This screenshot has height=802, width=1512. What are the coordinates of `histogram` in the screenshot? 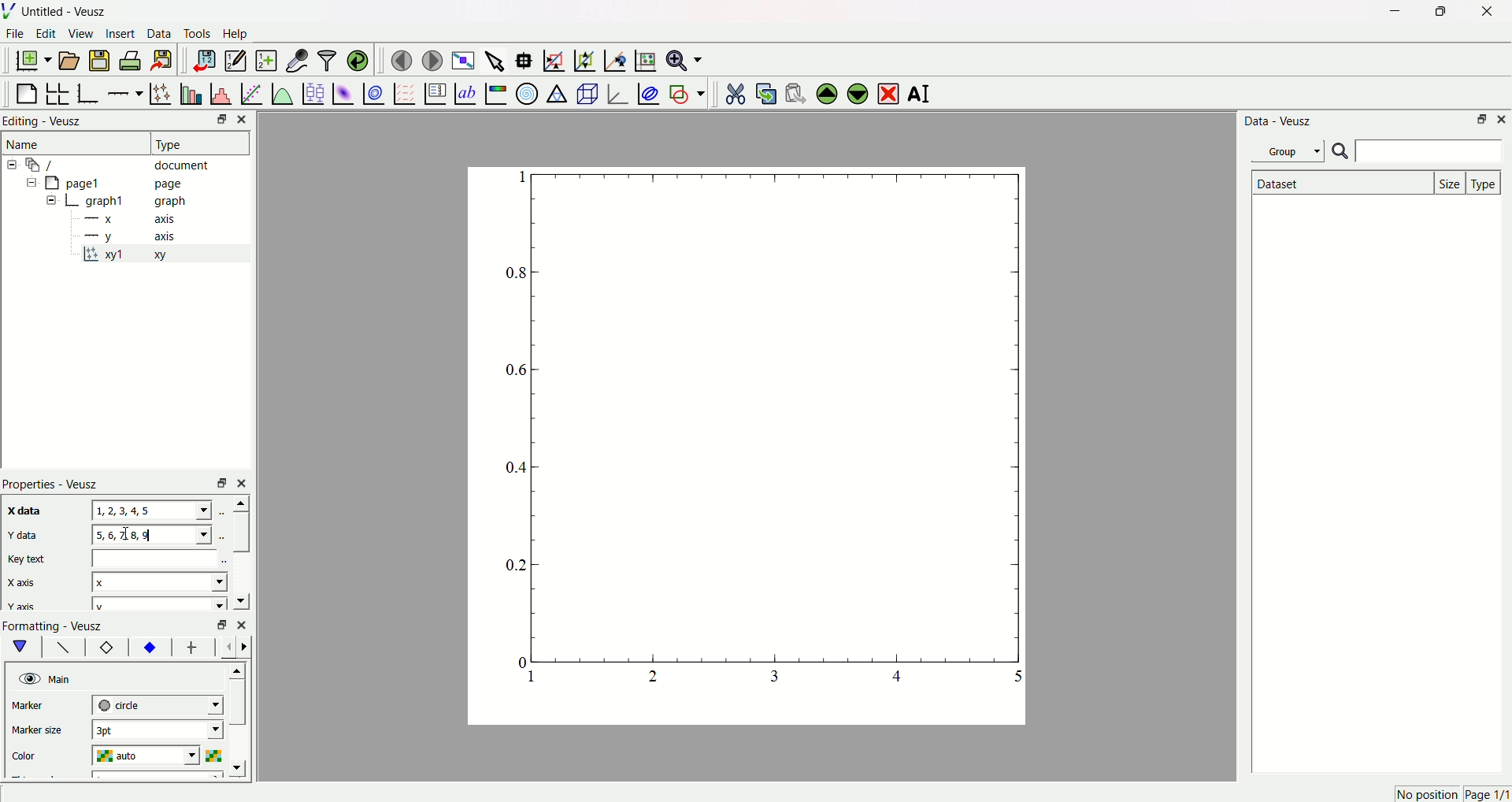 It's located at (220, 91).